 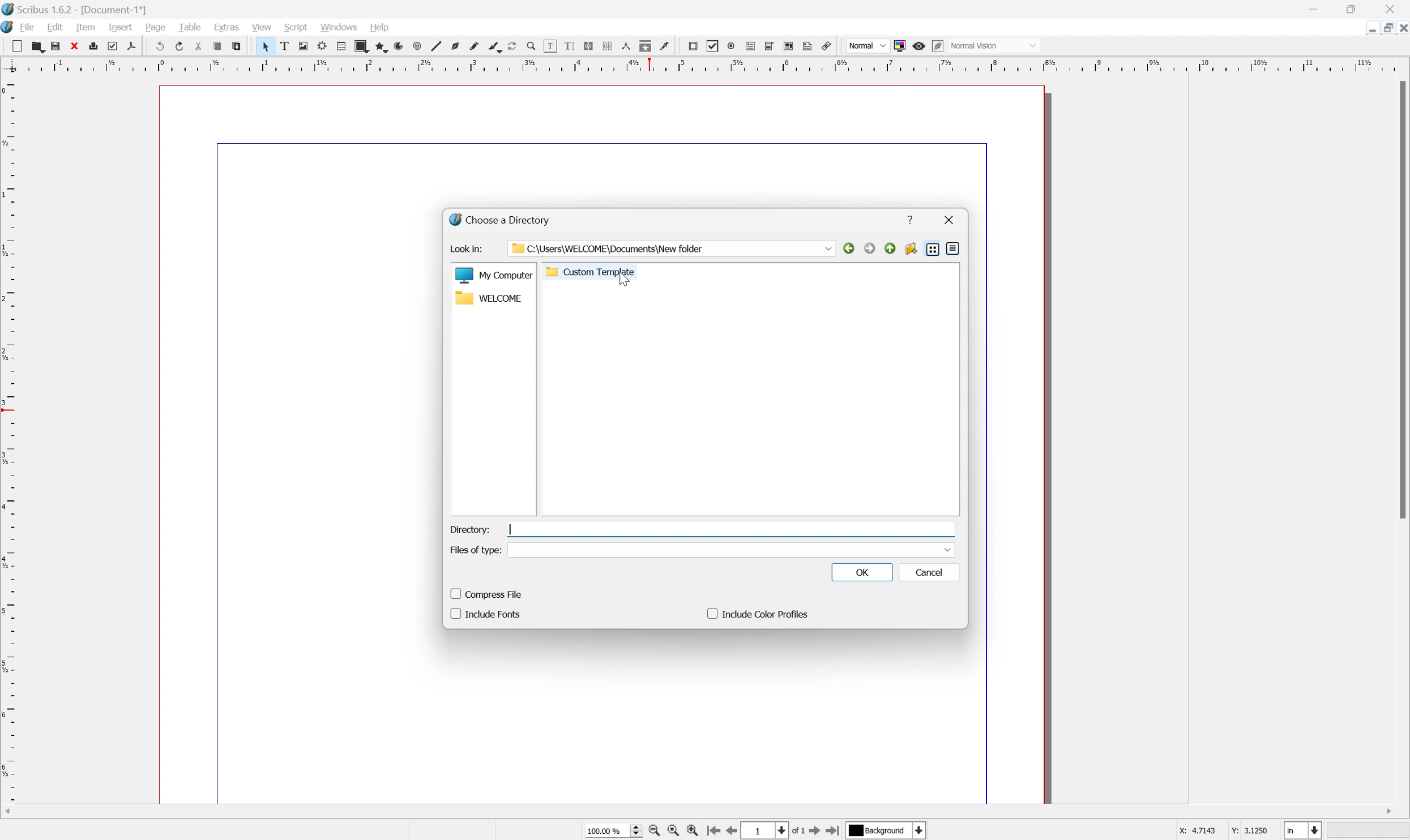 I want to click on image frame, so click(x=304, y=46).